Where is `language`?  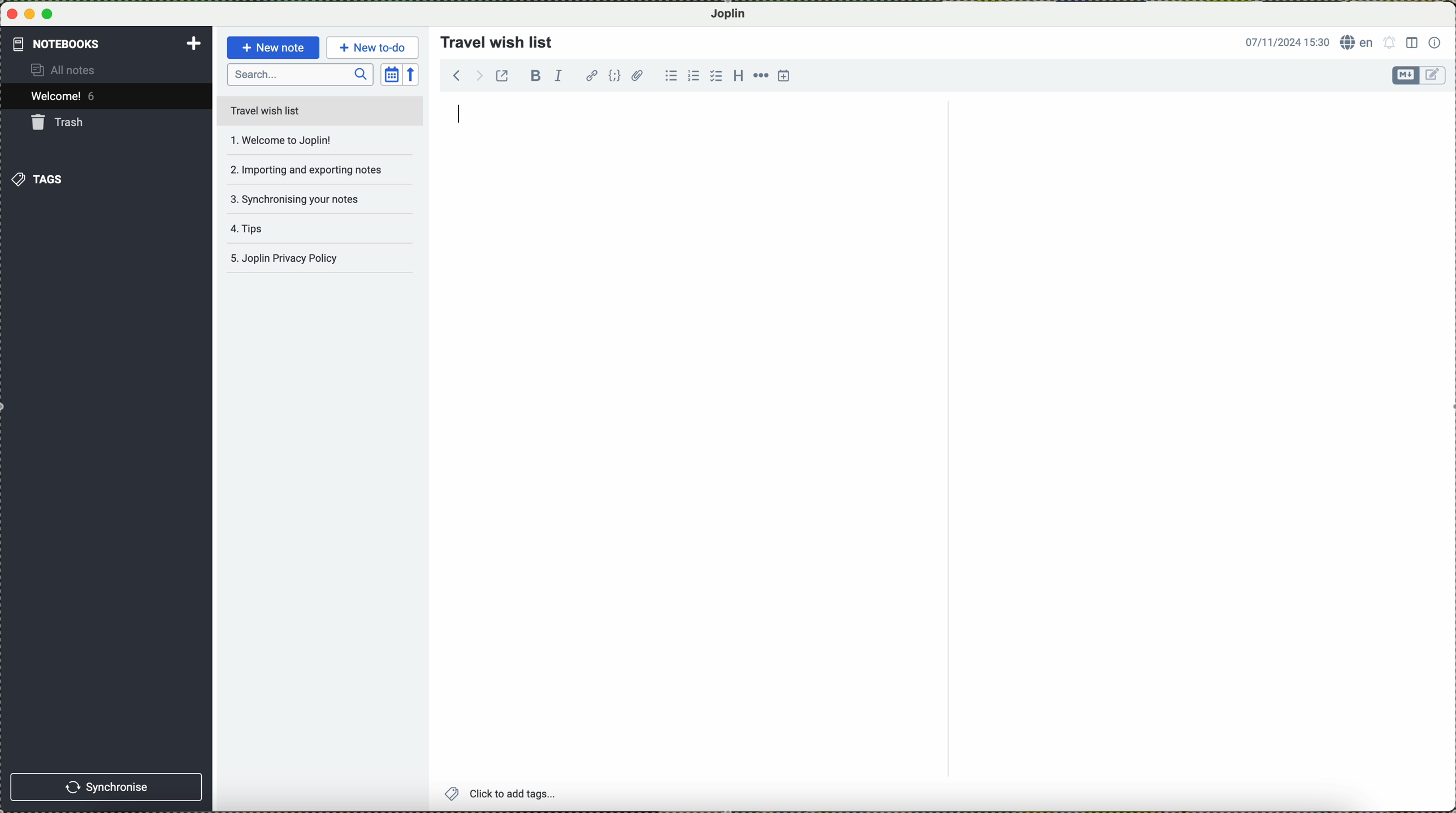
language is located at coordinates (1357, 42).